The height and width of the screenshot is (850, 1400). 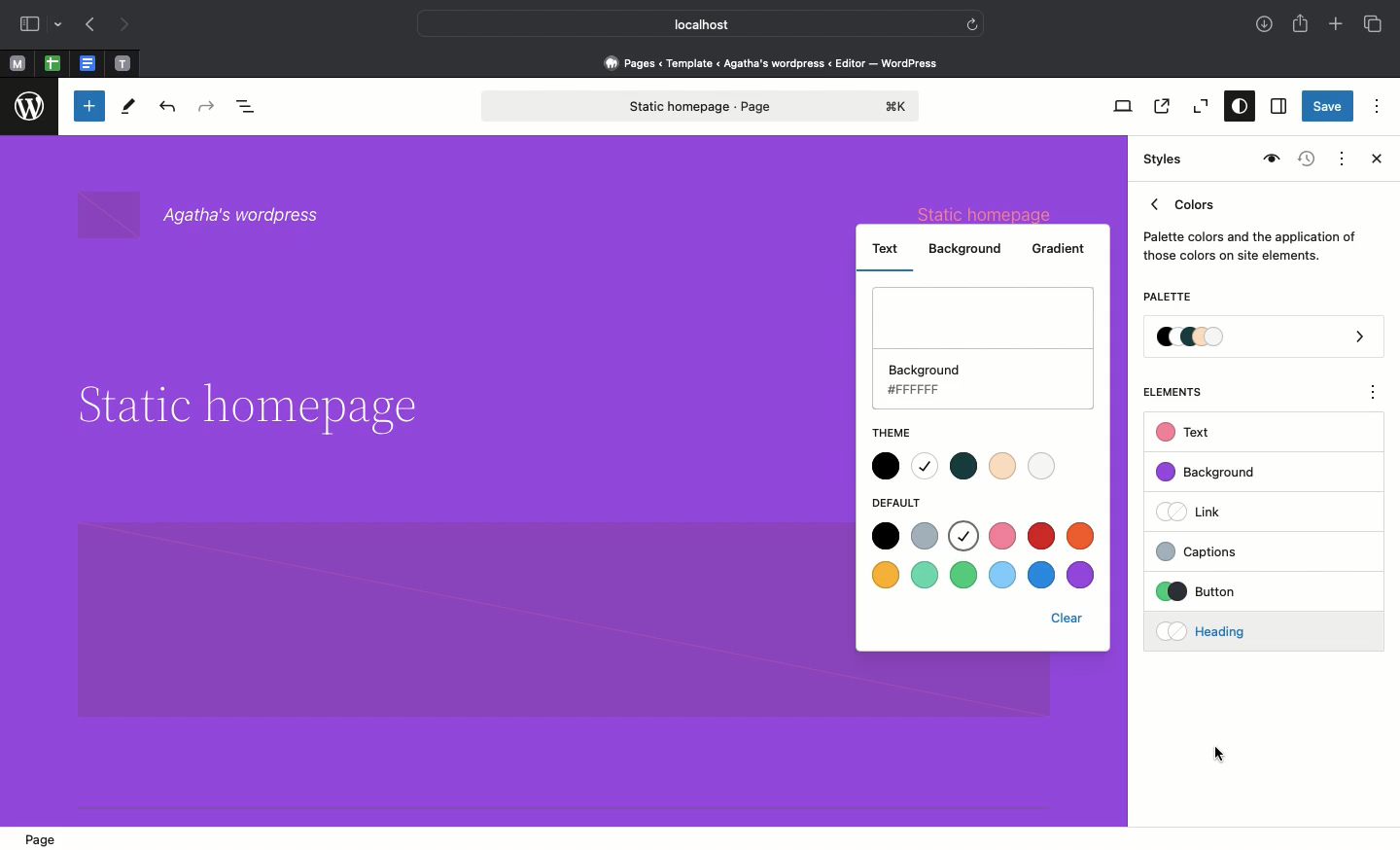 I want to click on Colors, so click(x=1250, y=226).